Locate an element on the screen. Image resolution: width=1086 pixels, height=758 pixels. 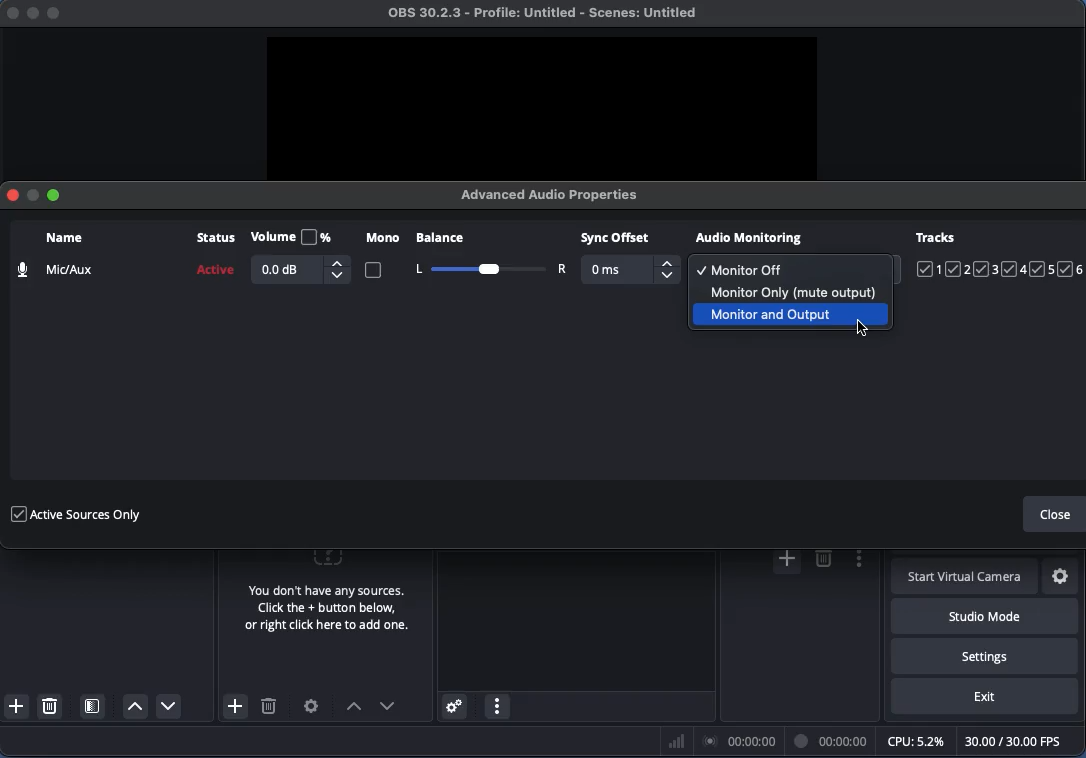
Braodcast is located at coordinates (740, 742).